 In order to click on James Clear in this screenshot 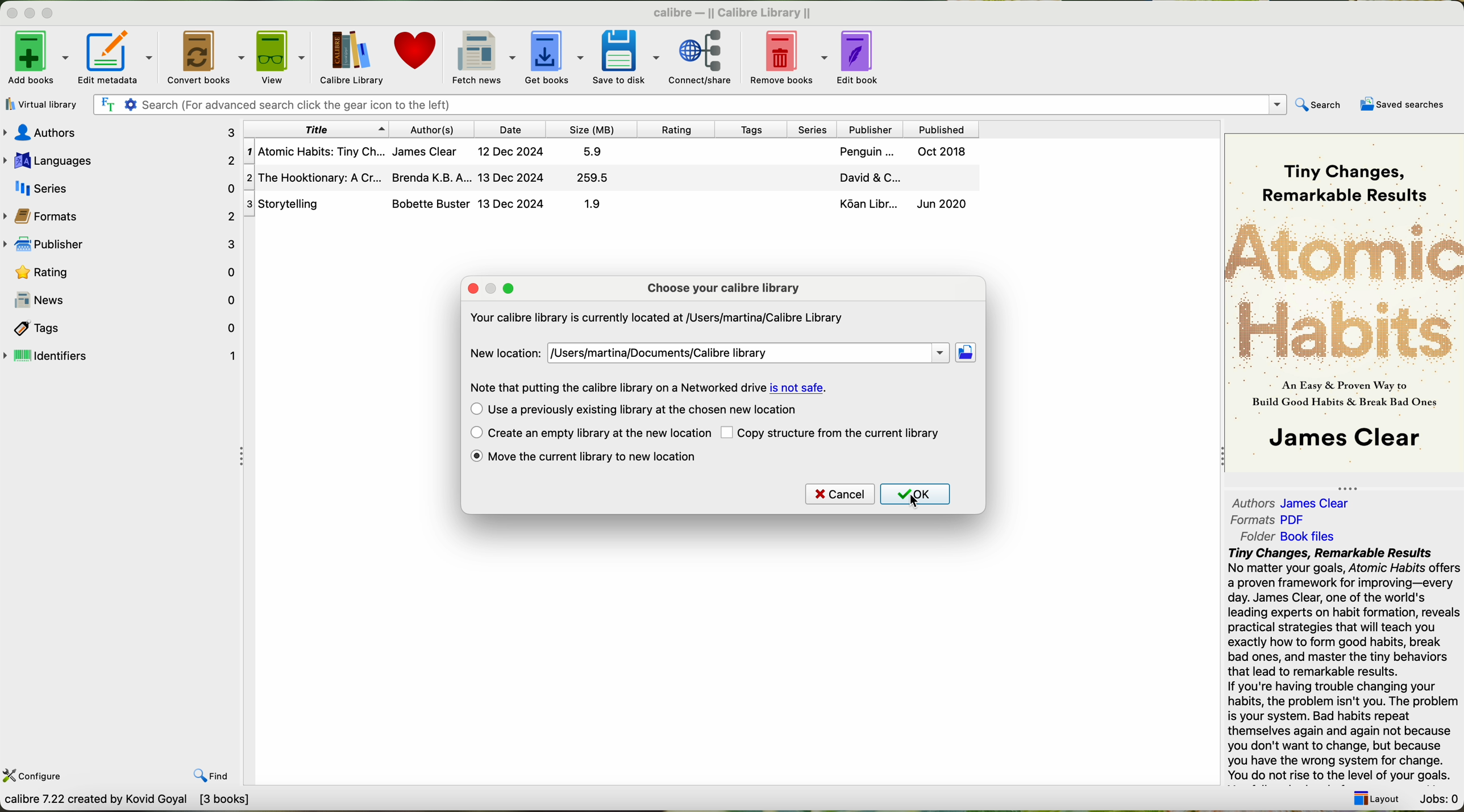, I will do `click(1320, 503)`.